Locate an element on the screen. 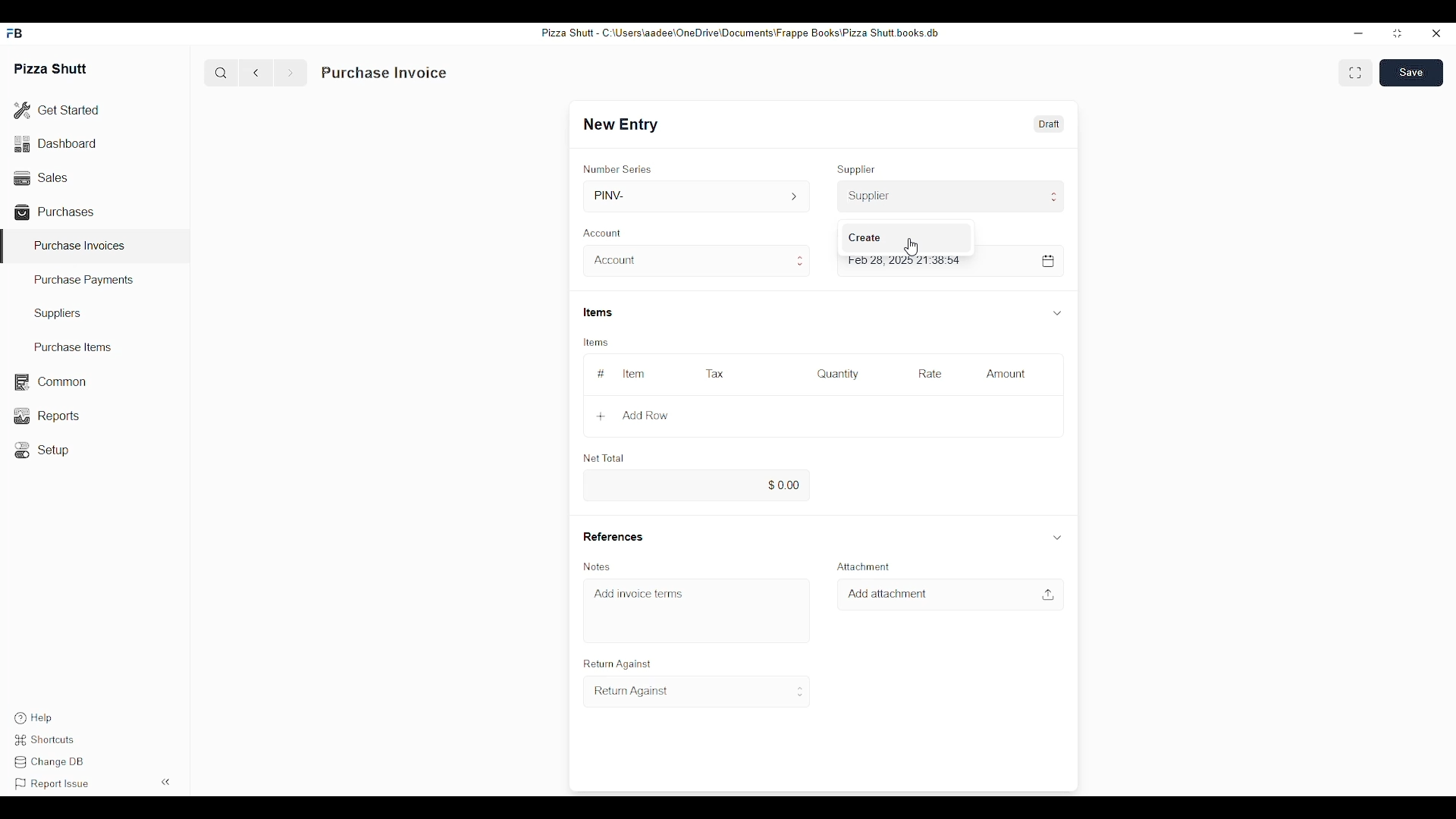 The width and height of the screenshot is (1456, 819). Report issue is located at coordinates (52, 784).